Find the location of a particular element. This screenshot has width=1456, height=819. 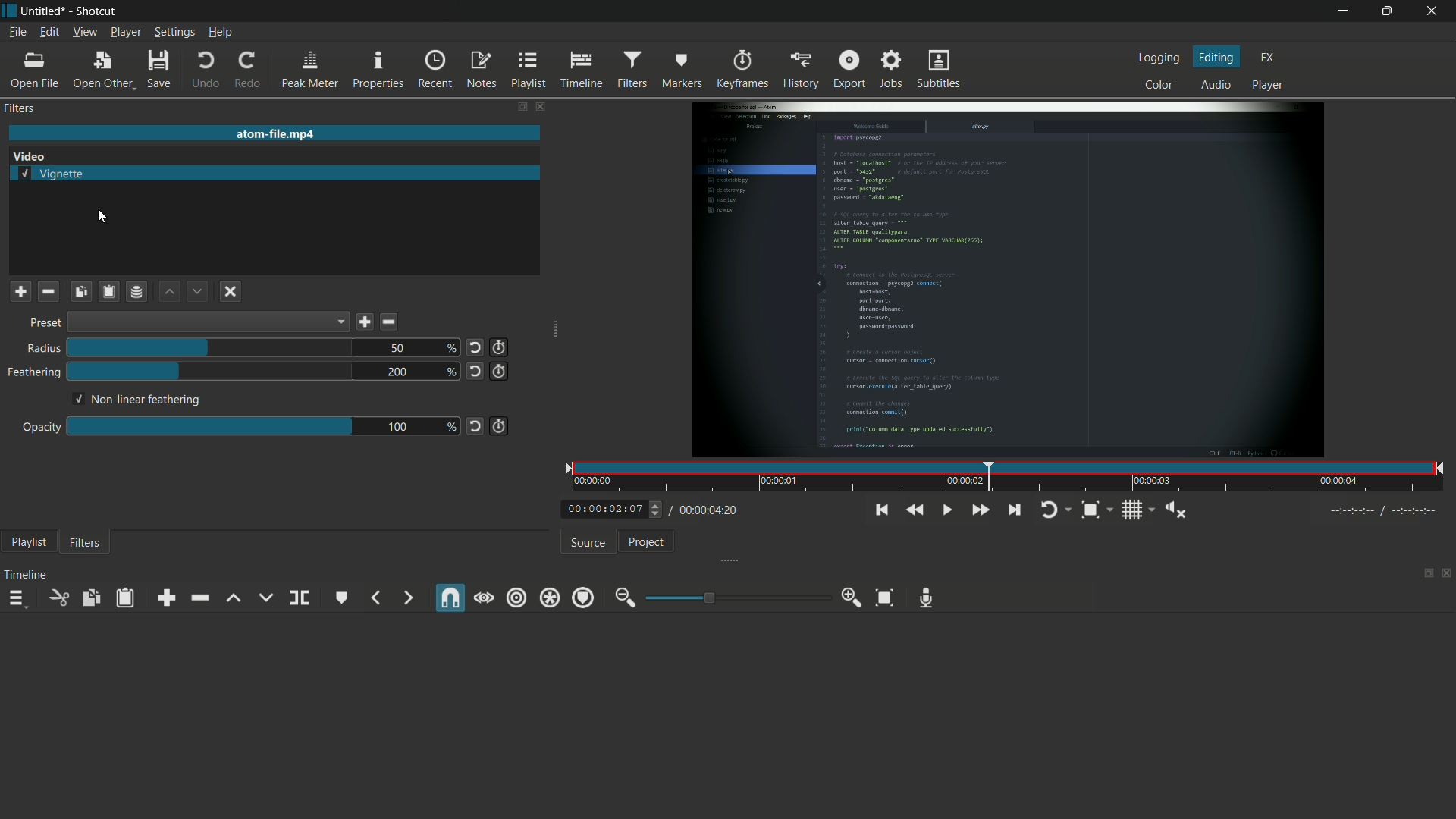

help menu is located at coordinates (220, 32).